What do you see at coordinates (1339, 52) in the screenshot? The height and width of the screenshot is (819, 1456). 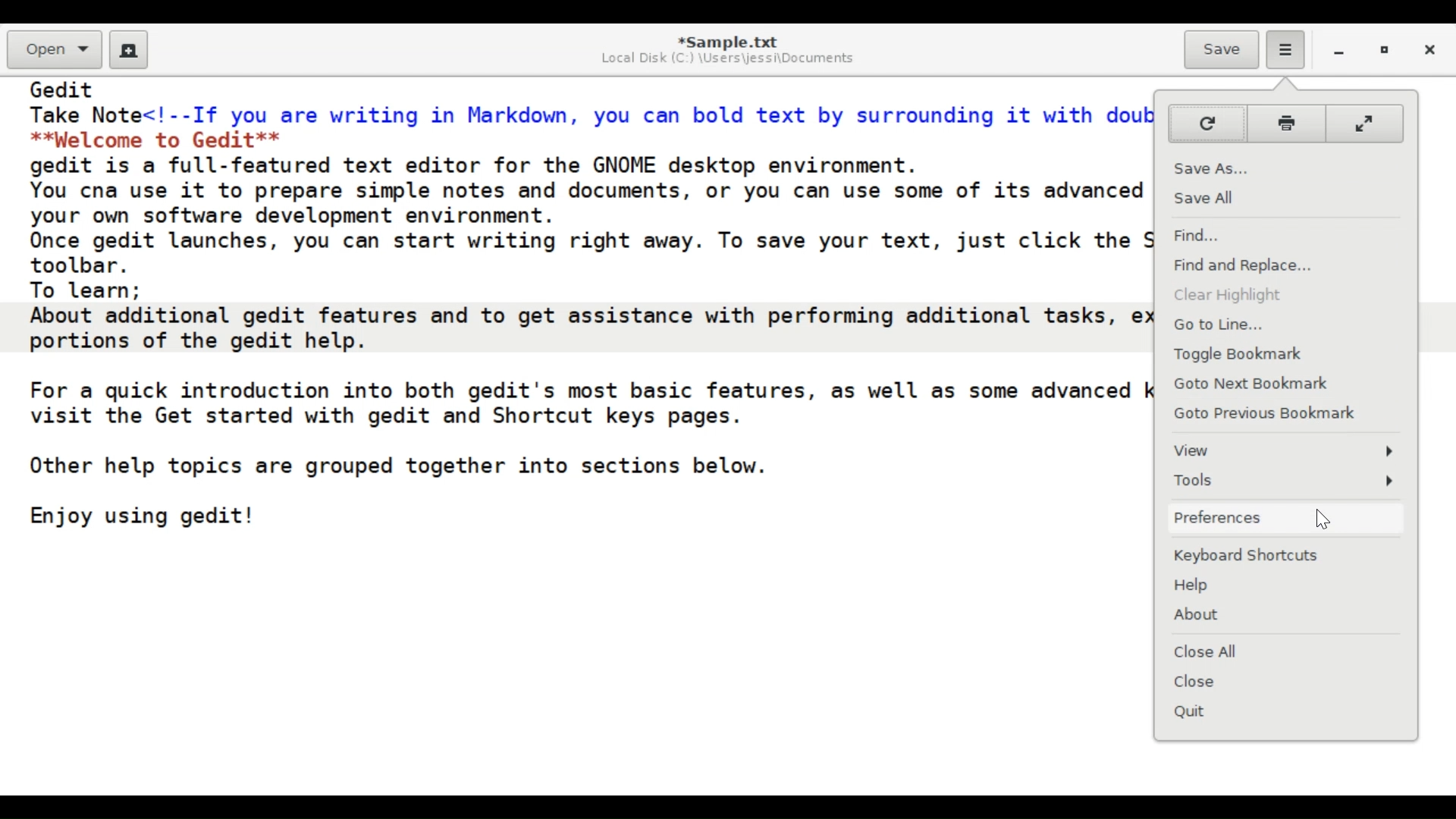 I see `minimize` at bounding box center [1339, 52].